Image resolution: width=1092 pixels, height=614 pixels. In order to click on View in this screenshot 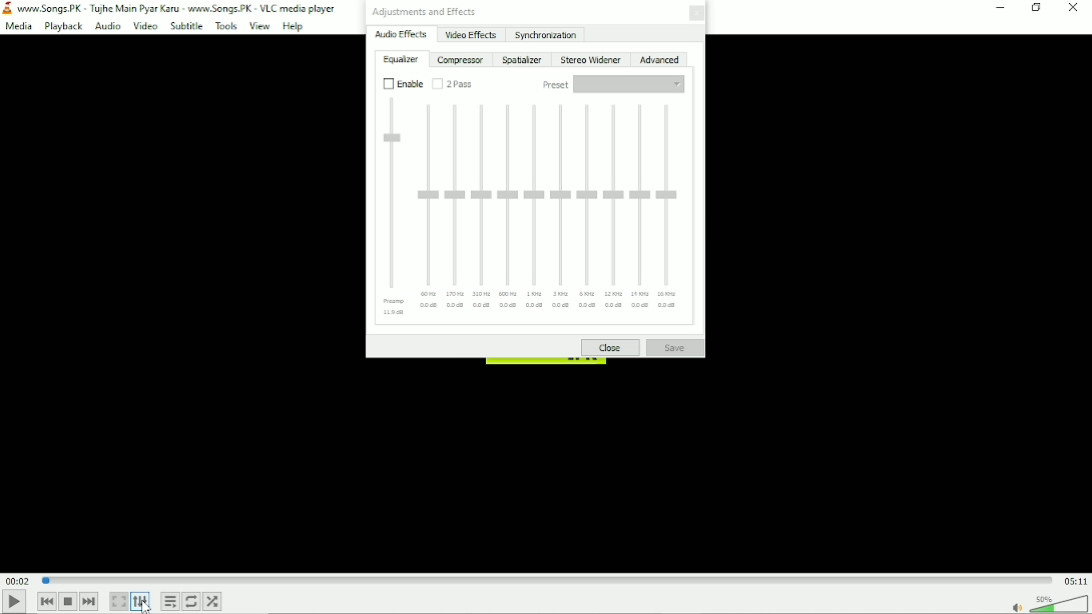, I will do `click(257, 26)`.